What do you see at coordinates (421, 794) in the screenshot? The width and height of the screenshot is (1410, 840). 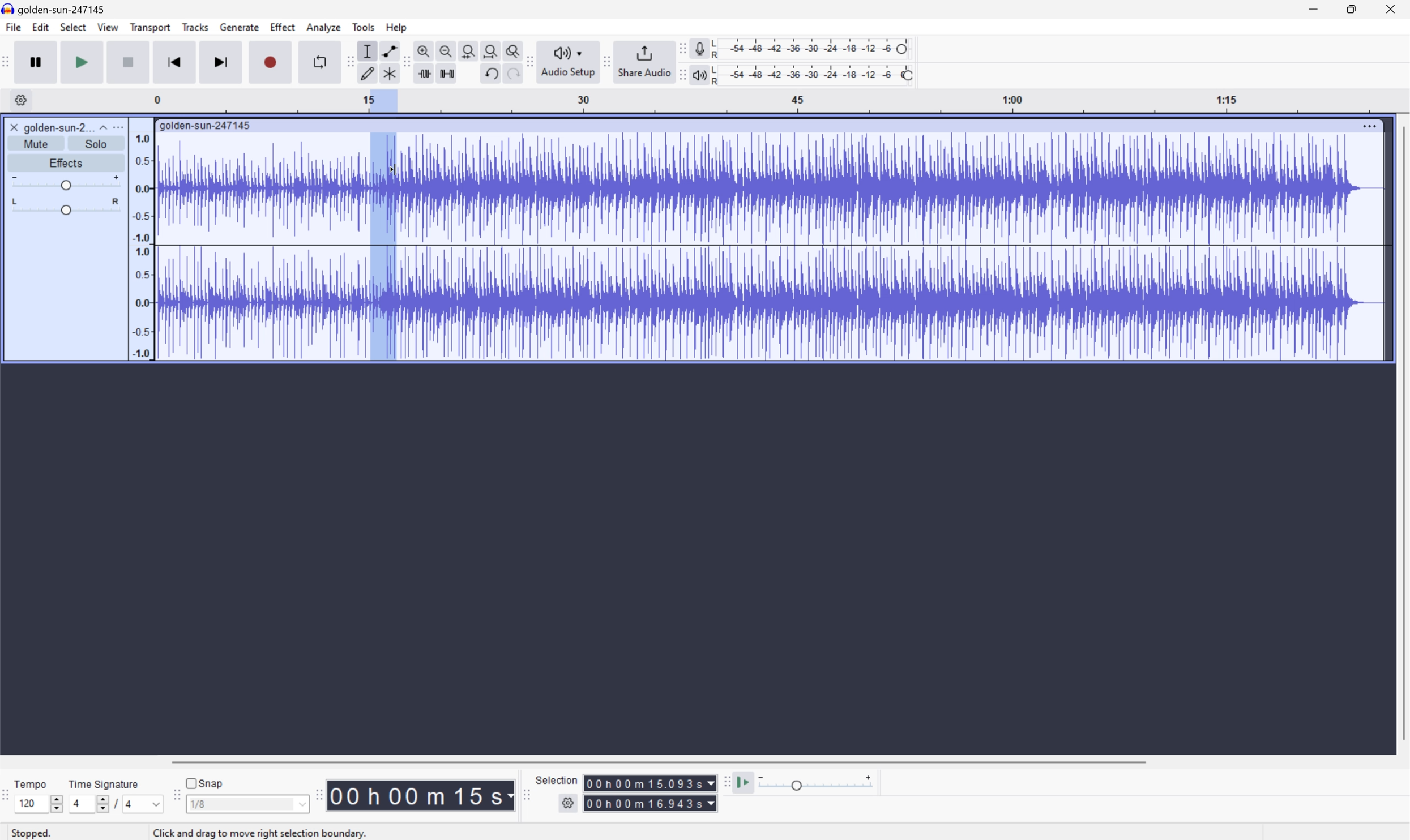 I see `Time` at bounding box center [421, 794].